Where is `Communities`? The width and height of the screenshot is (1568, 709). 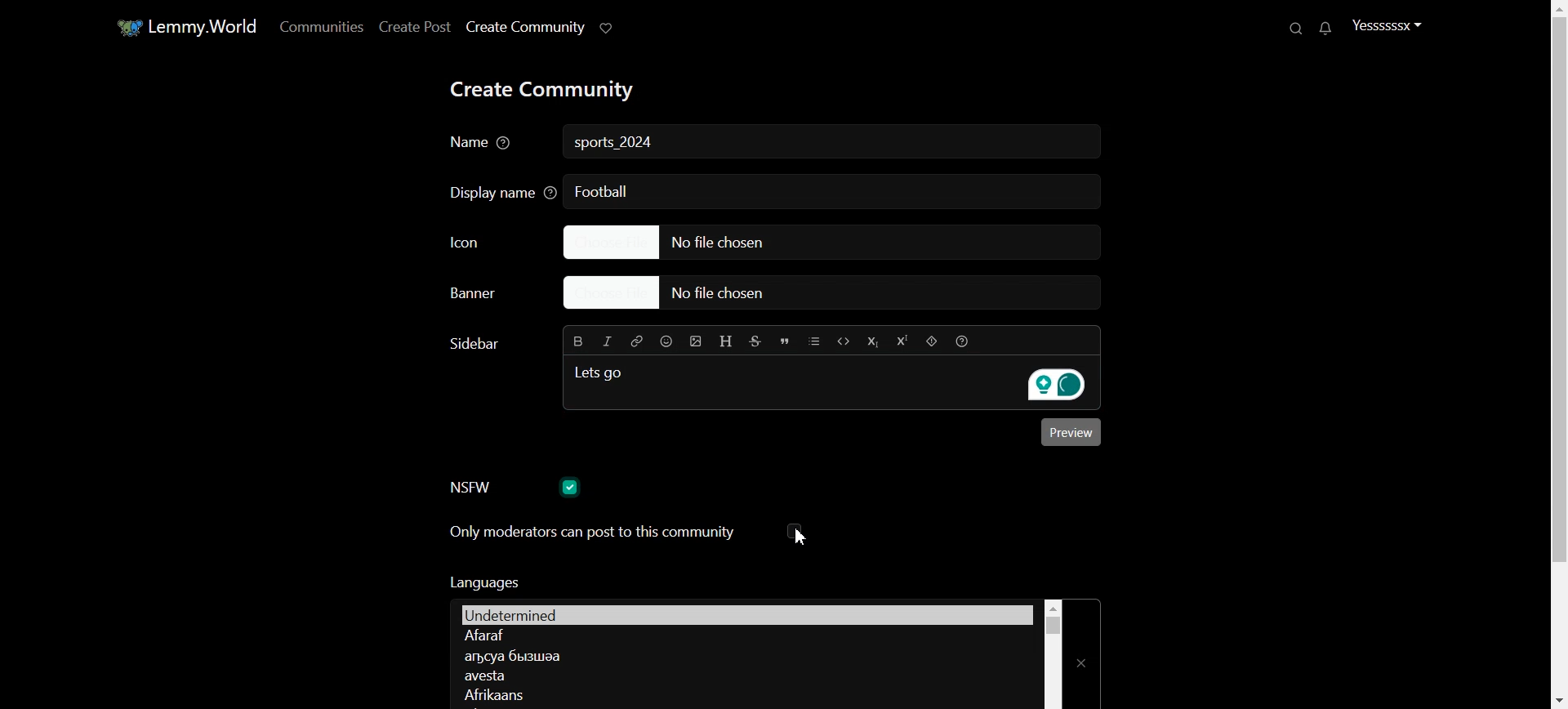
Communities is located at coordinates (318, 26).